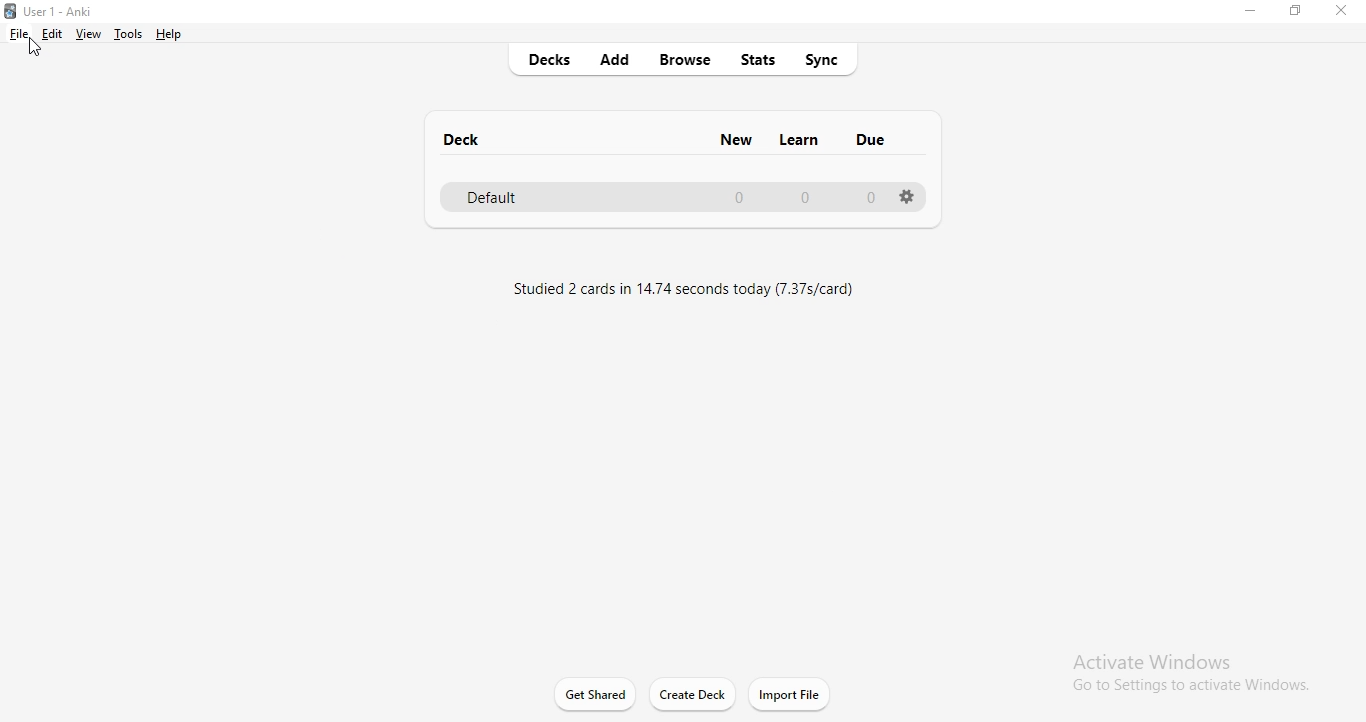 This screenshot has height=722, width=1366. What do you see at coordinates (1248, 13) in the screenshot?
I see `minimise` at bounding box center [1248, 13].